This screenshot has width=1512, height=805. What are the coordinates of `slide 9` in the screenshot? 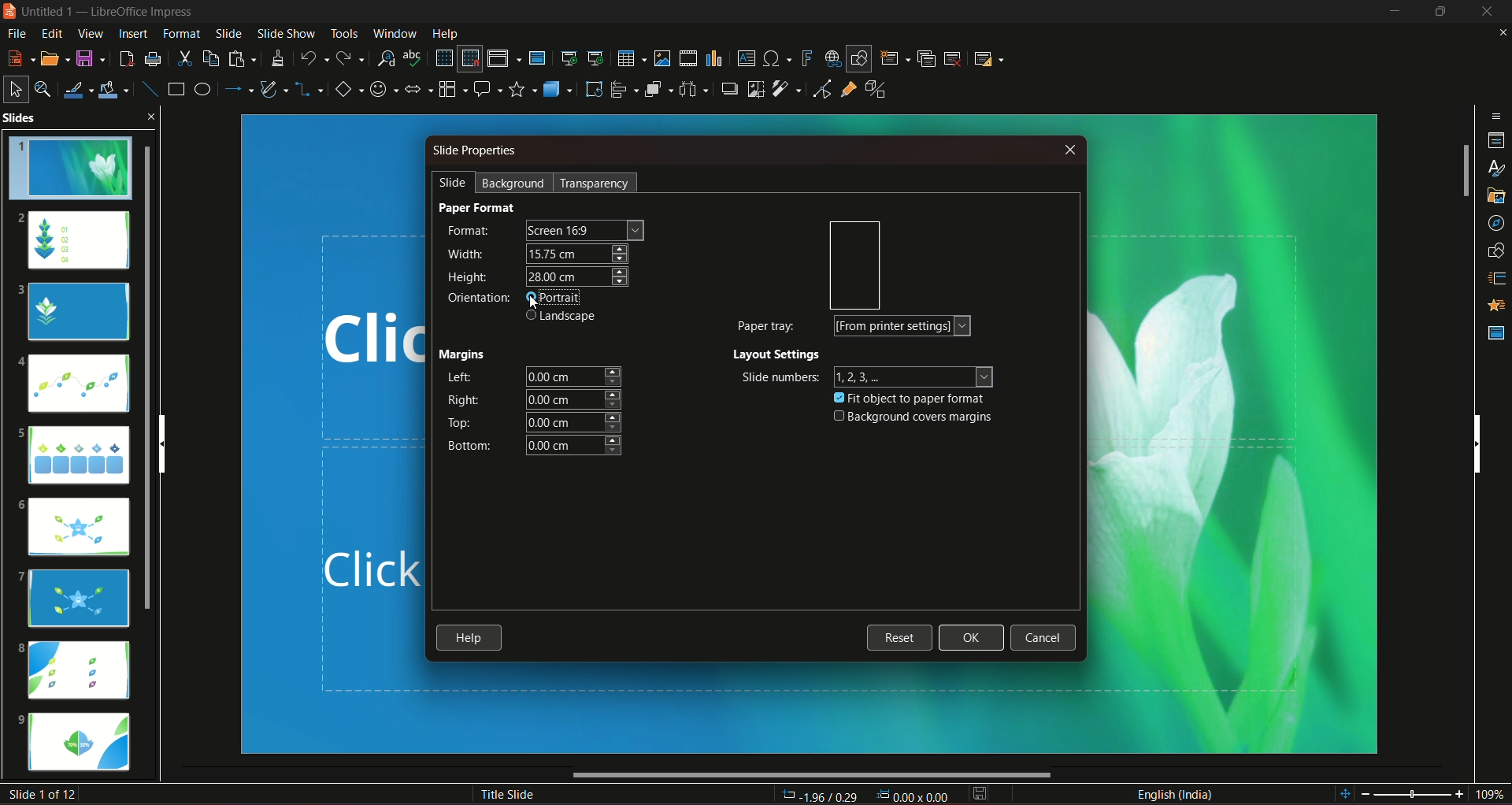 It's located at (83, 744).